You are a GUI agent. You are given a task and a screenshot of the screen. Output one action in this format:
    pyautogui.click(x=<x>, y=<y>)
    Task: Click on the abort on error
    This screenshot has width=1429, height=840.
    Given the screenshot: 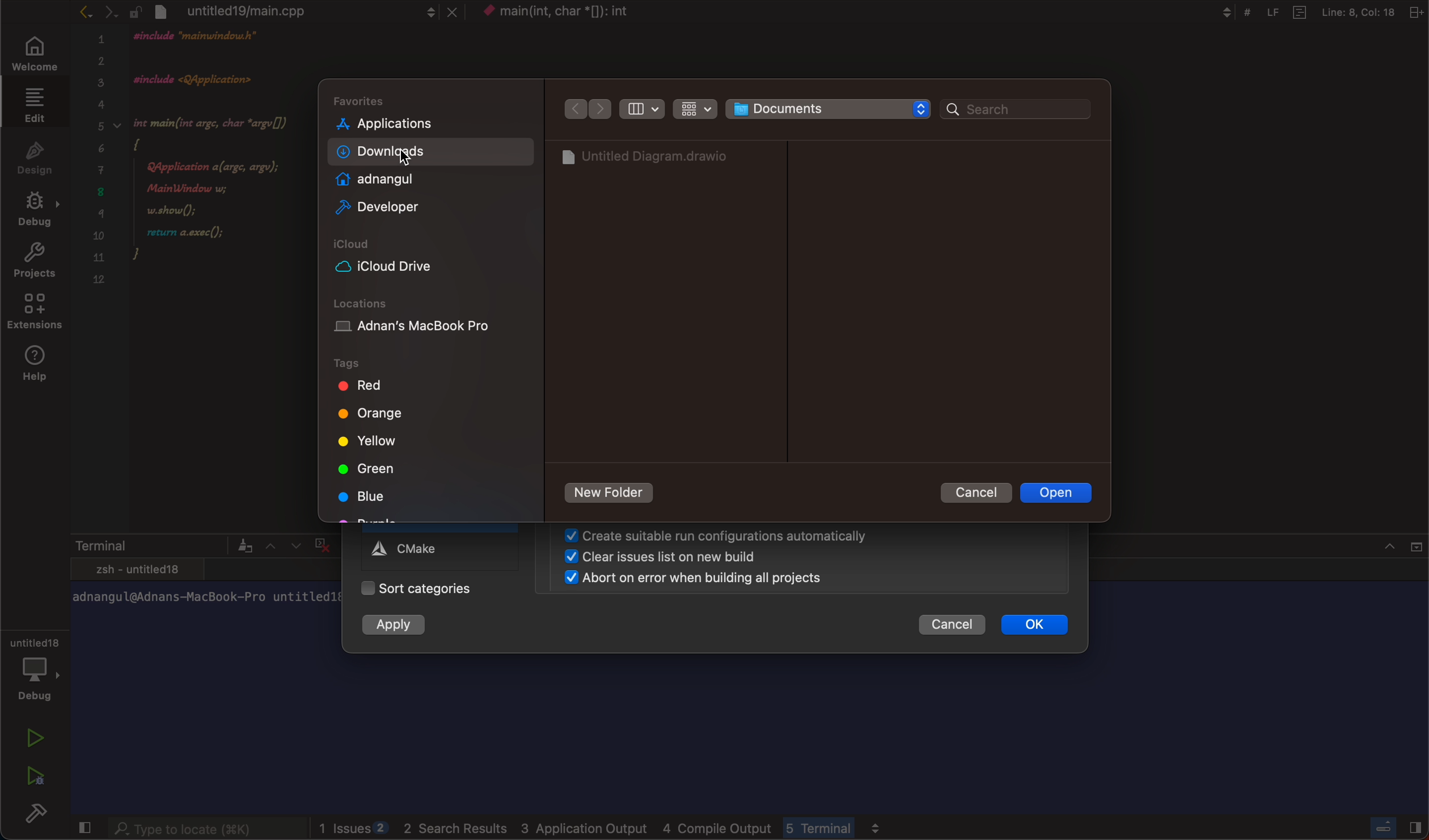 What is the action you would take?
    pyautogui.click(x=687, y=579)
    